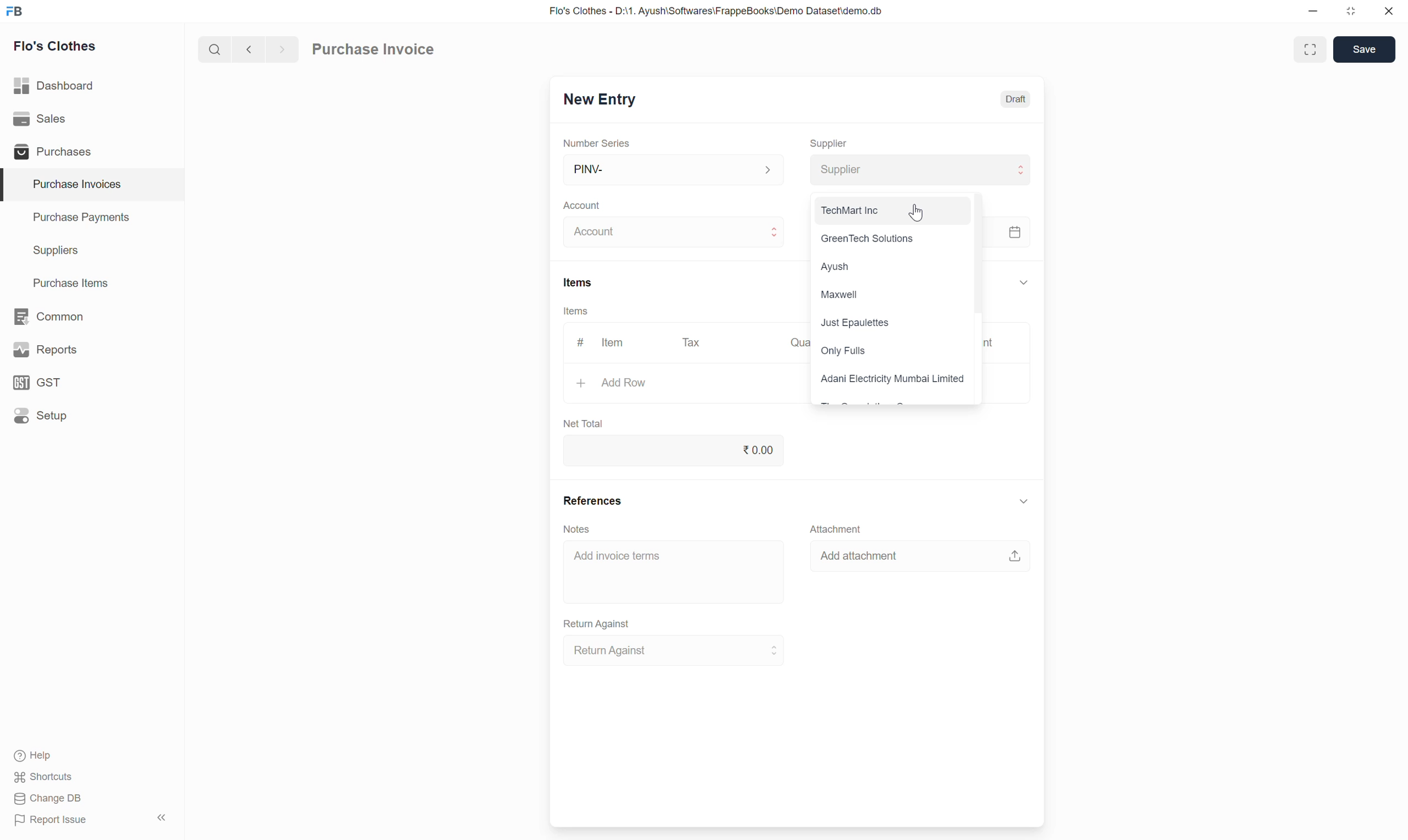  What do you see at coordinates (893, 323) in the screenshot?
I see `Just Epaulettes` at bounding box center [893, 323].